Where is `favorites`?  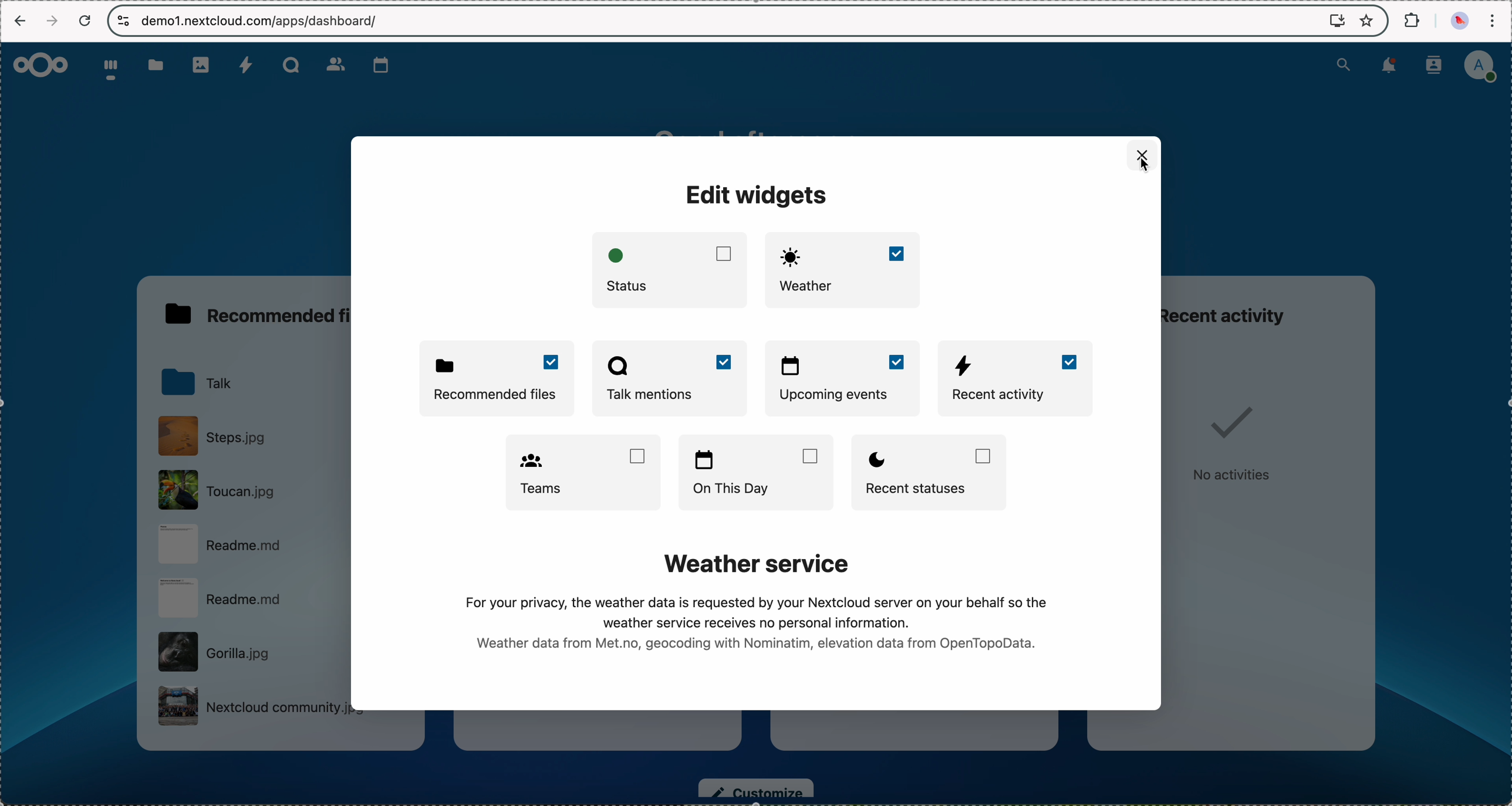
favorites is located at coordinates (1369, 22).